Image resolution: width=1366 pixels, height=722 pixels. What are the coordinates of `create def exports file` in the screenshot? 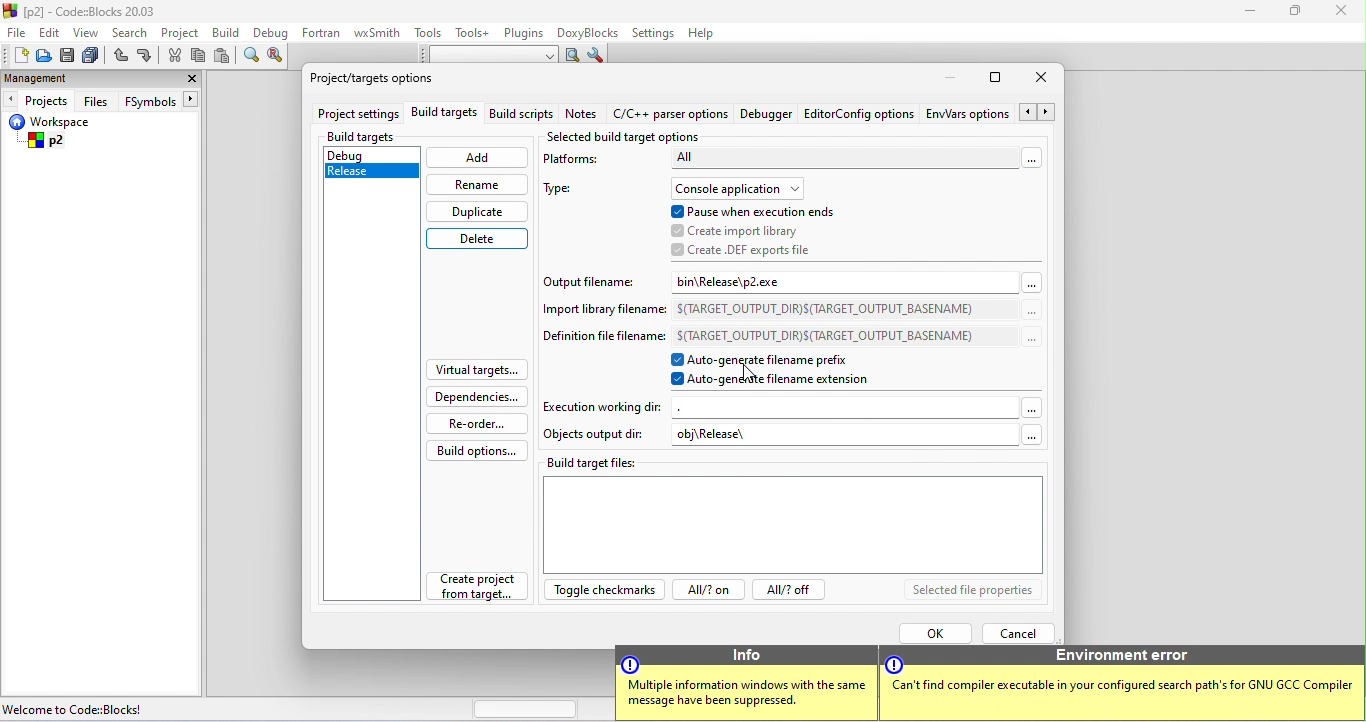 It's located at (744, 250).